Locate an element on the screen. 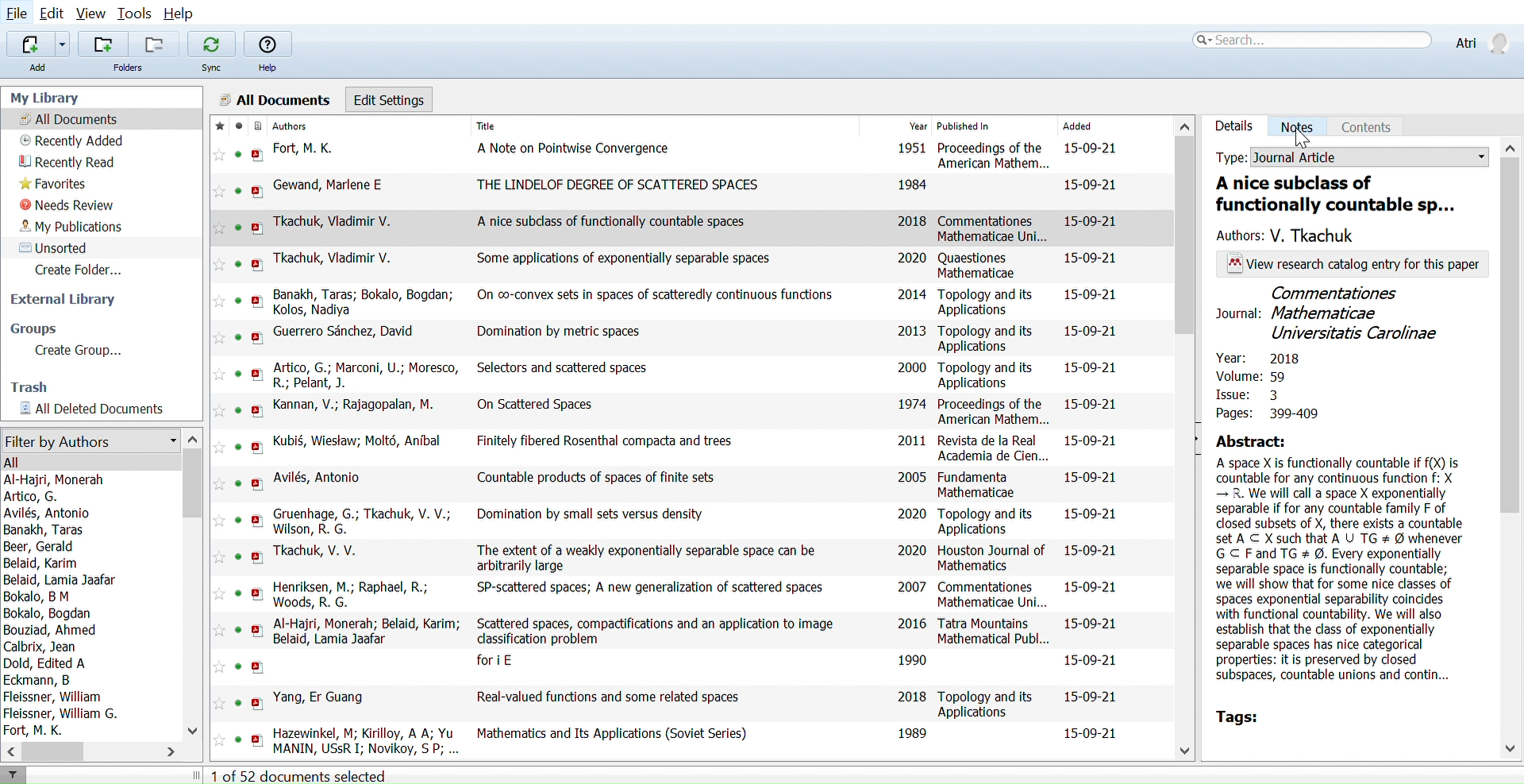 The width and height of the screenshot is (1524, 784). Banakh, Taras is located at coordinates (47, 530).